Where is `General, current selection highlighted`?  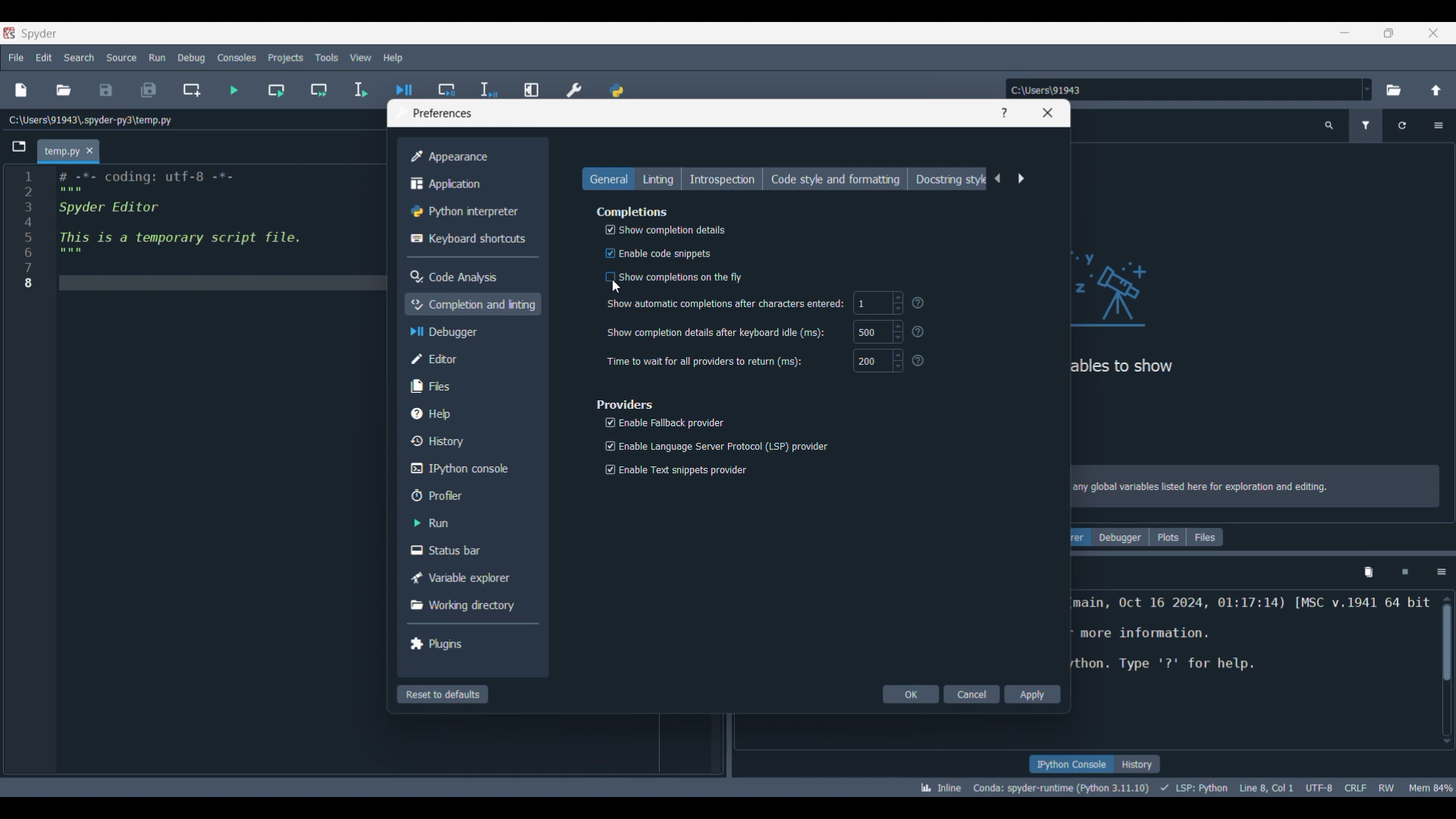
General, current selection highlighted is located at coordinates (608, 178).